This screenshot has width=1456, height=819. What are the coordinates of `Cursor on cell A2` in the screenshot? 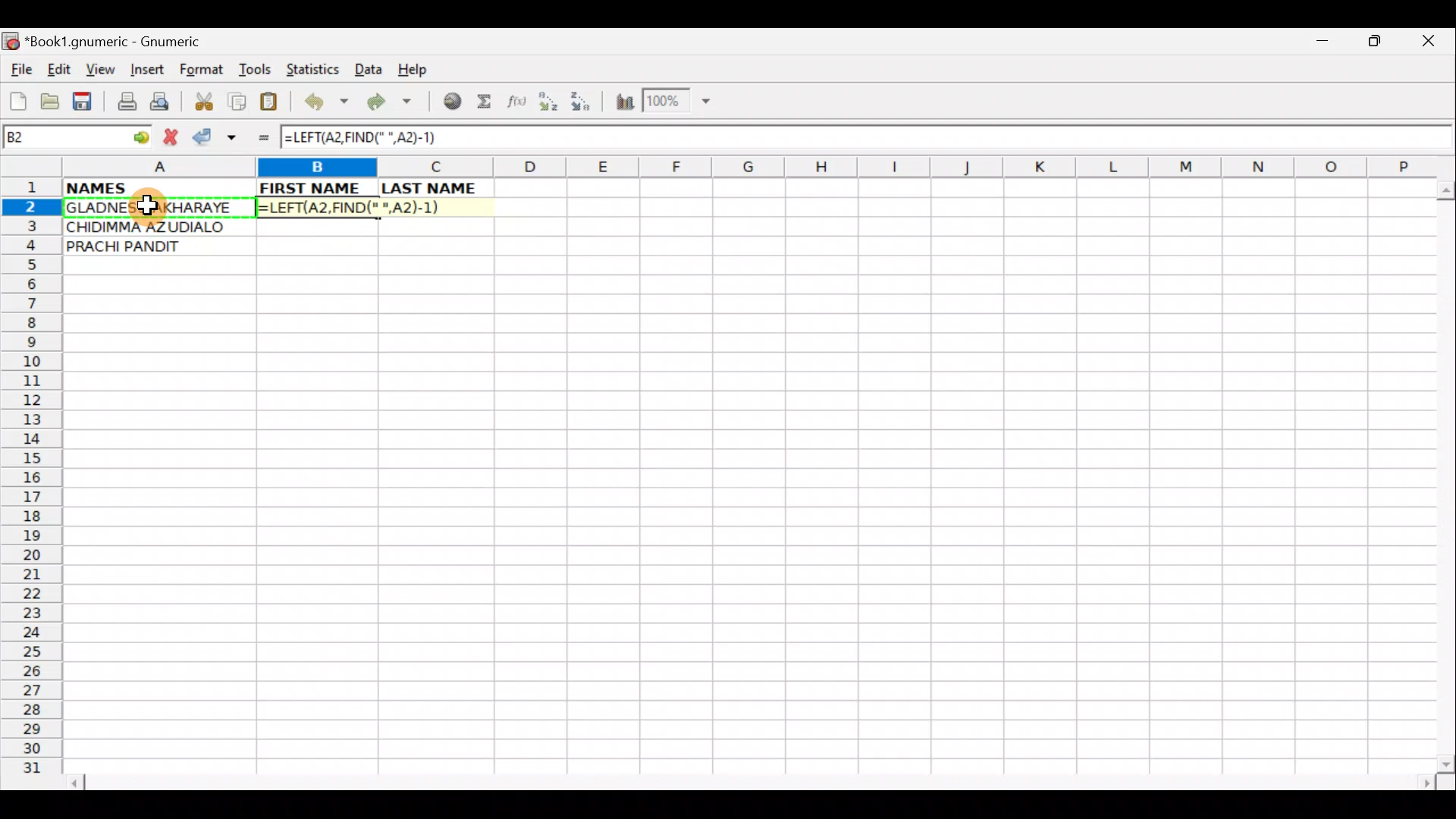 It's located at (150, 206).